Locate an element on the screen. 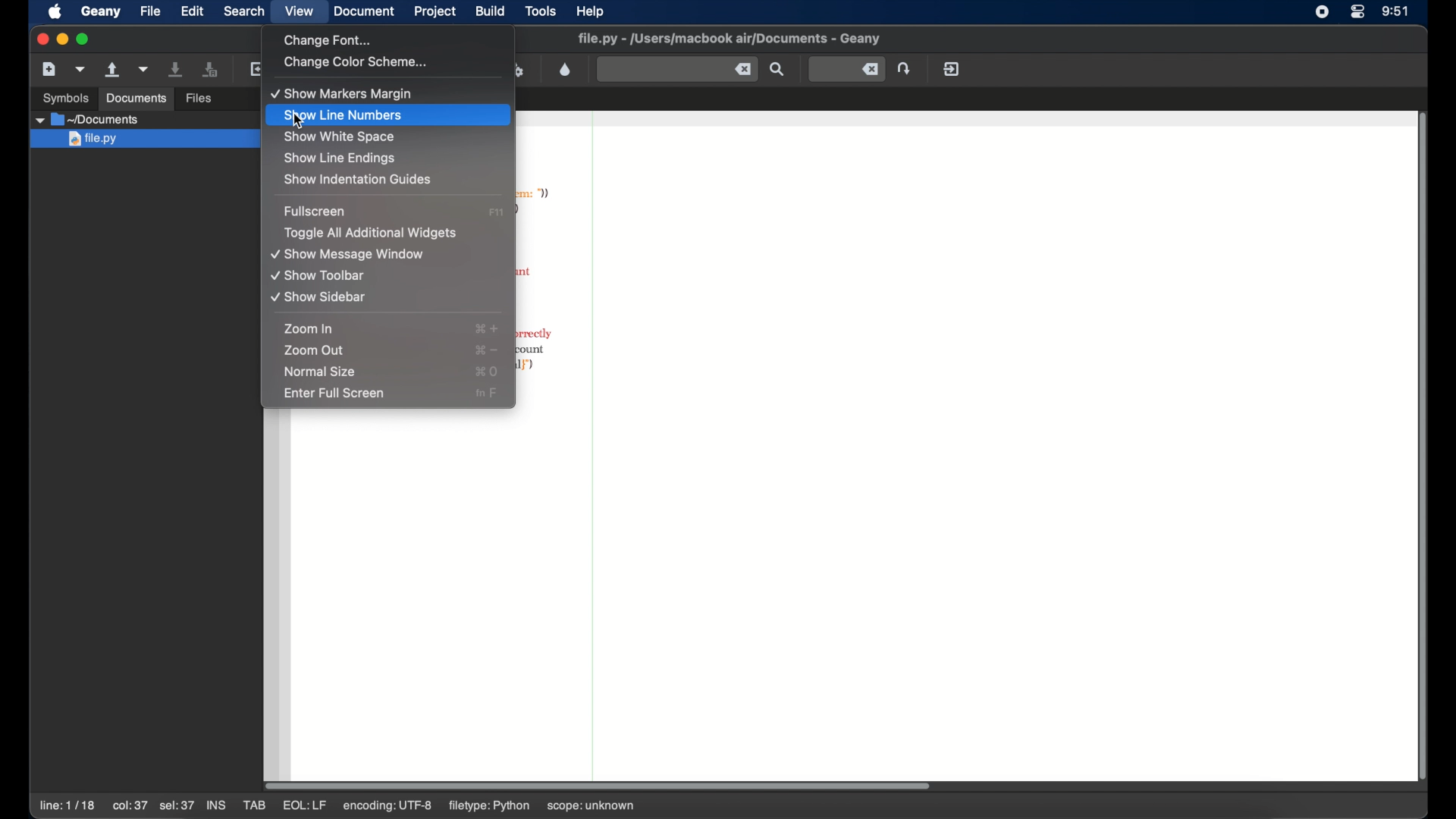  show line endings is located at coordinates (341, 158).